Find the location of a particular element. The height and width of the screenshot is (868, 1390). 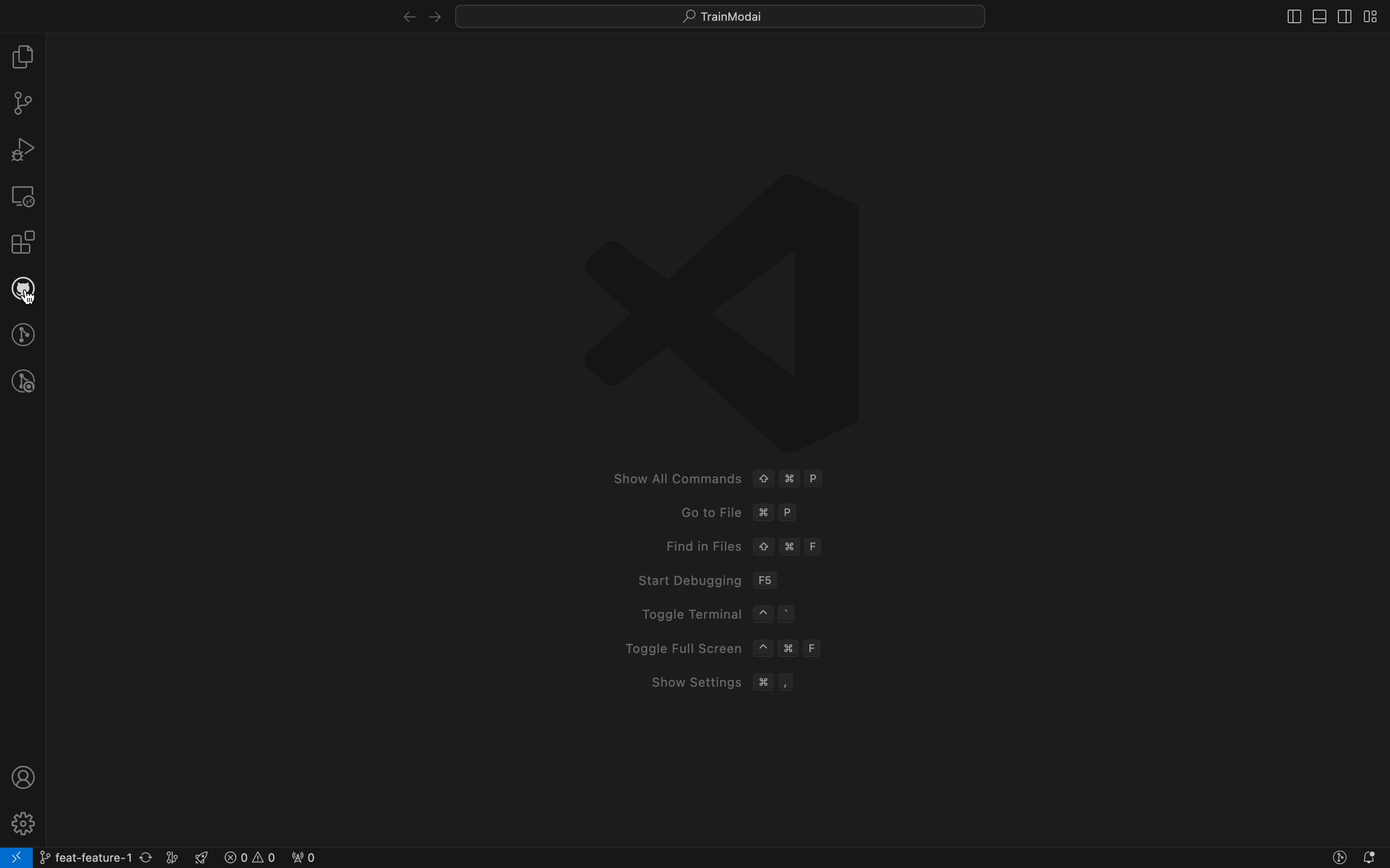

right arrow is located at coordinates (394, 14).